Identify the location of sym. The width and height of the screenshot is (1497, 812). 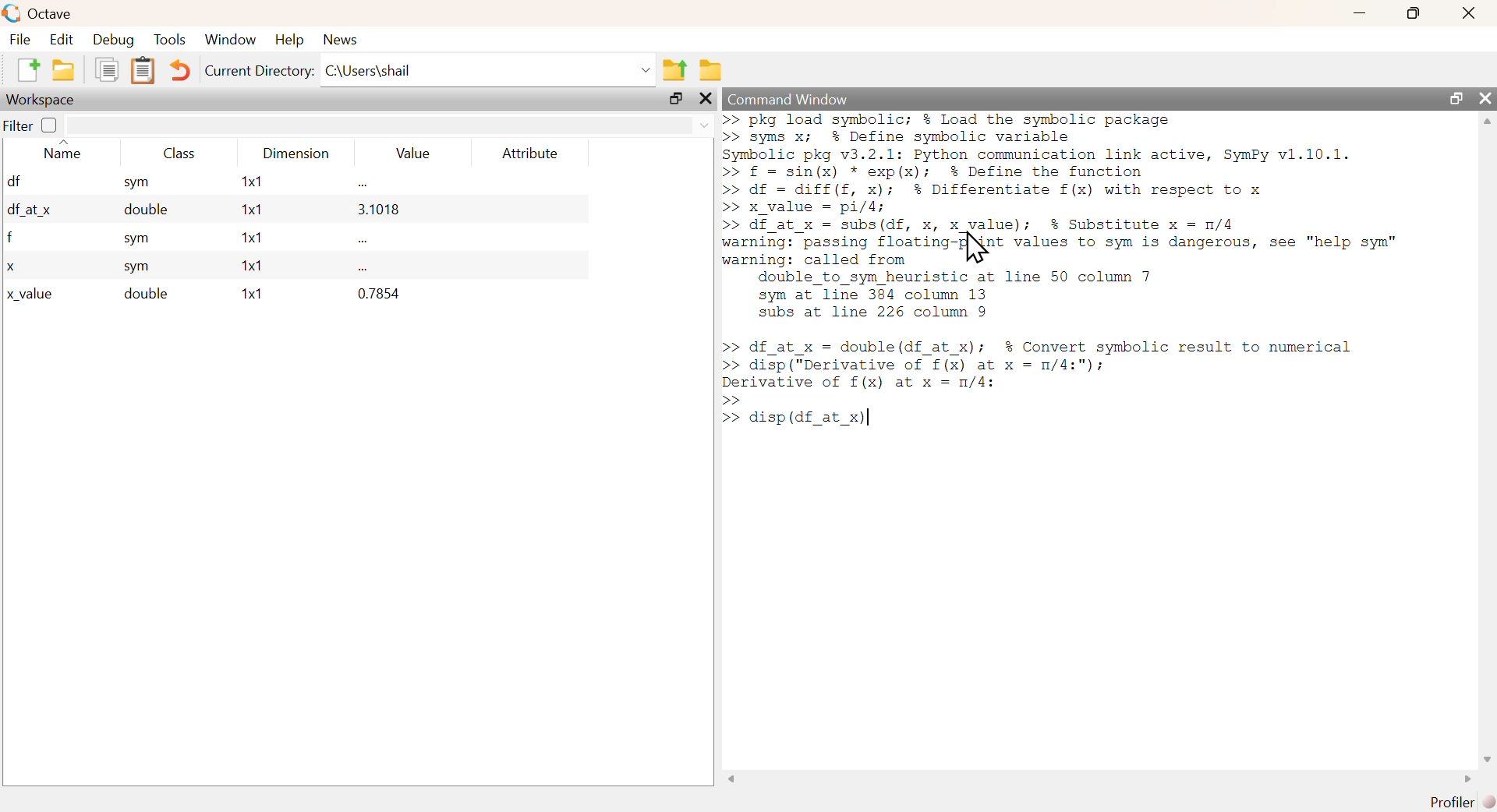
(138, 268).